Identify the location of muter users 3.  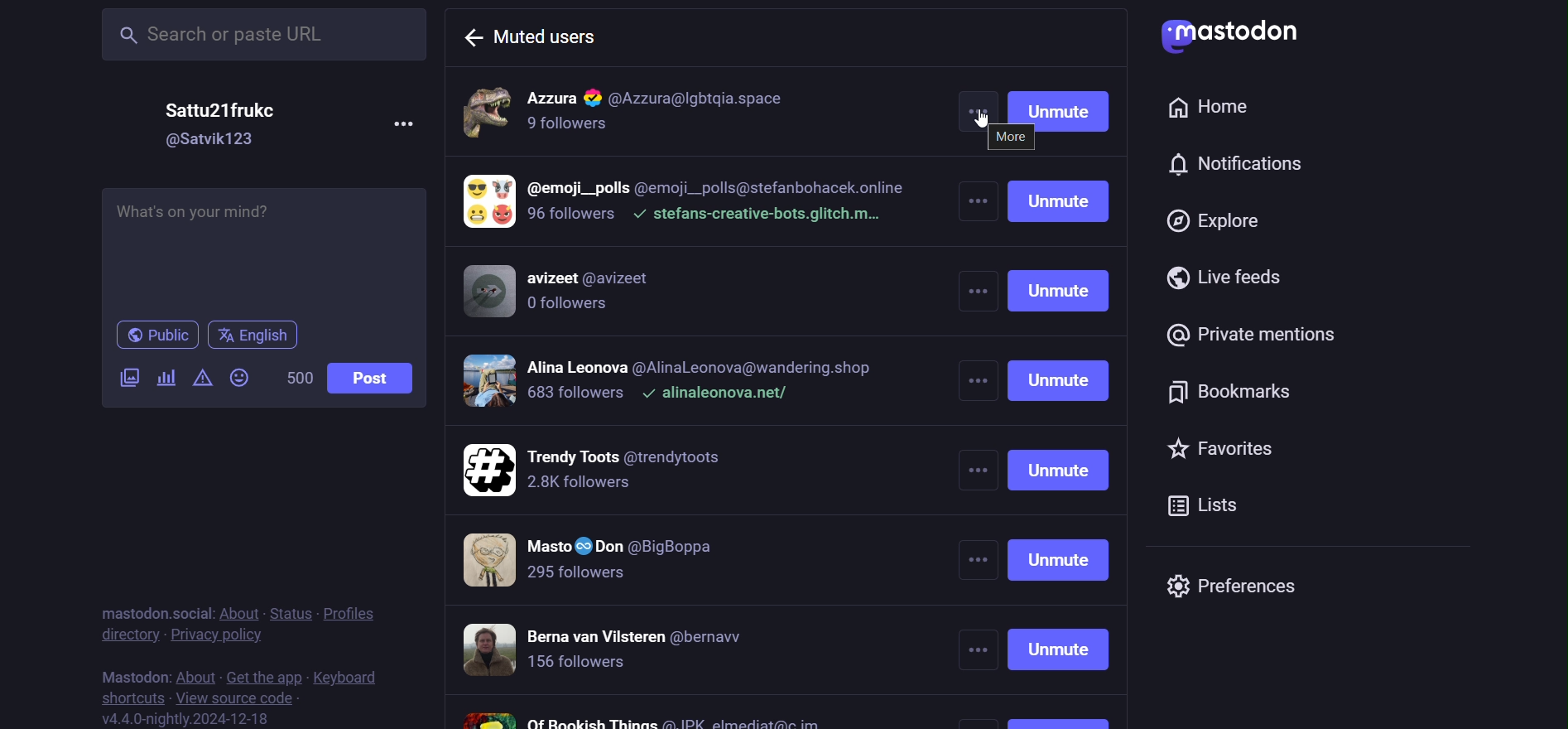
(574, 292).